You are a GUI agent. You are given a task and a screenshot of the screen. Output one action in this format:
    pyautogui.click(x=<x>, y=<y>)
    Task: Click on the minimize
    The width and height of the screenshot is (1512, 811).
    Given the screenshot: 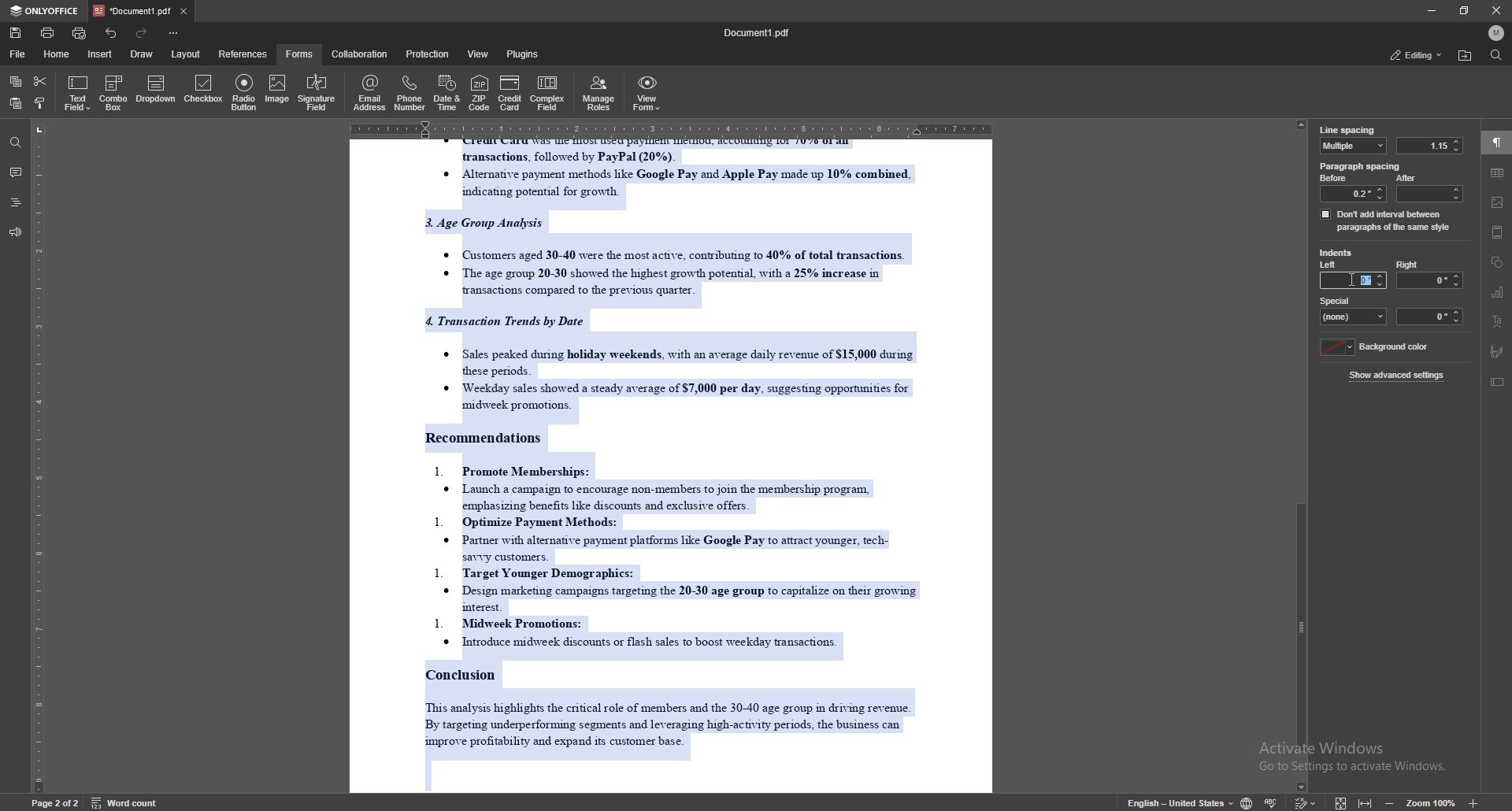 What is the action you would take?
    pyautogui.click(x=1431, y=10)
    